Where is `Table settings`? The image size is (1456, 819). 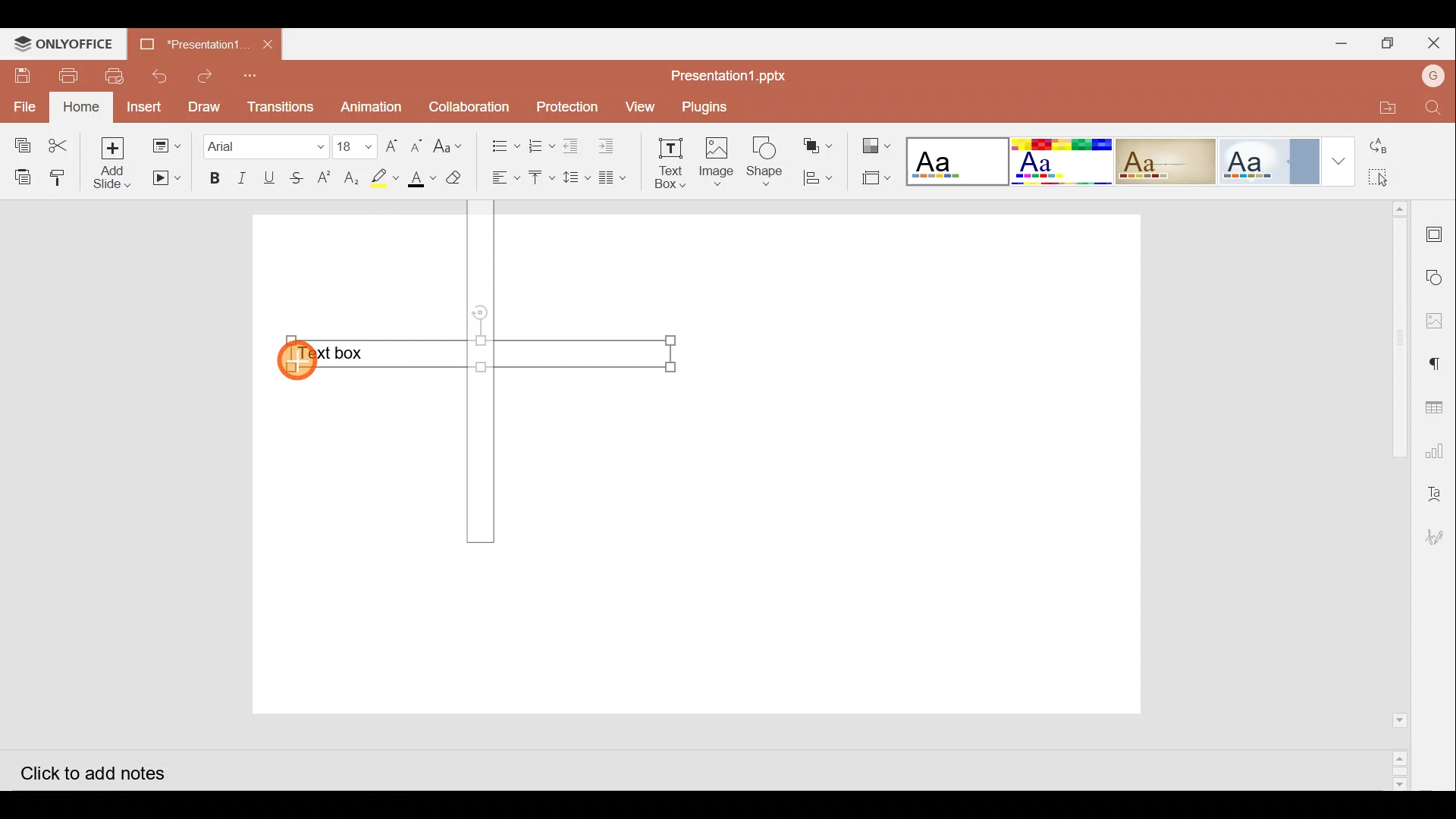
Table settings is located at coordinates (1438, 405).